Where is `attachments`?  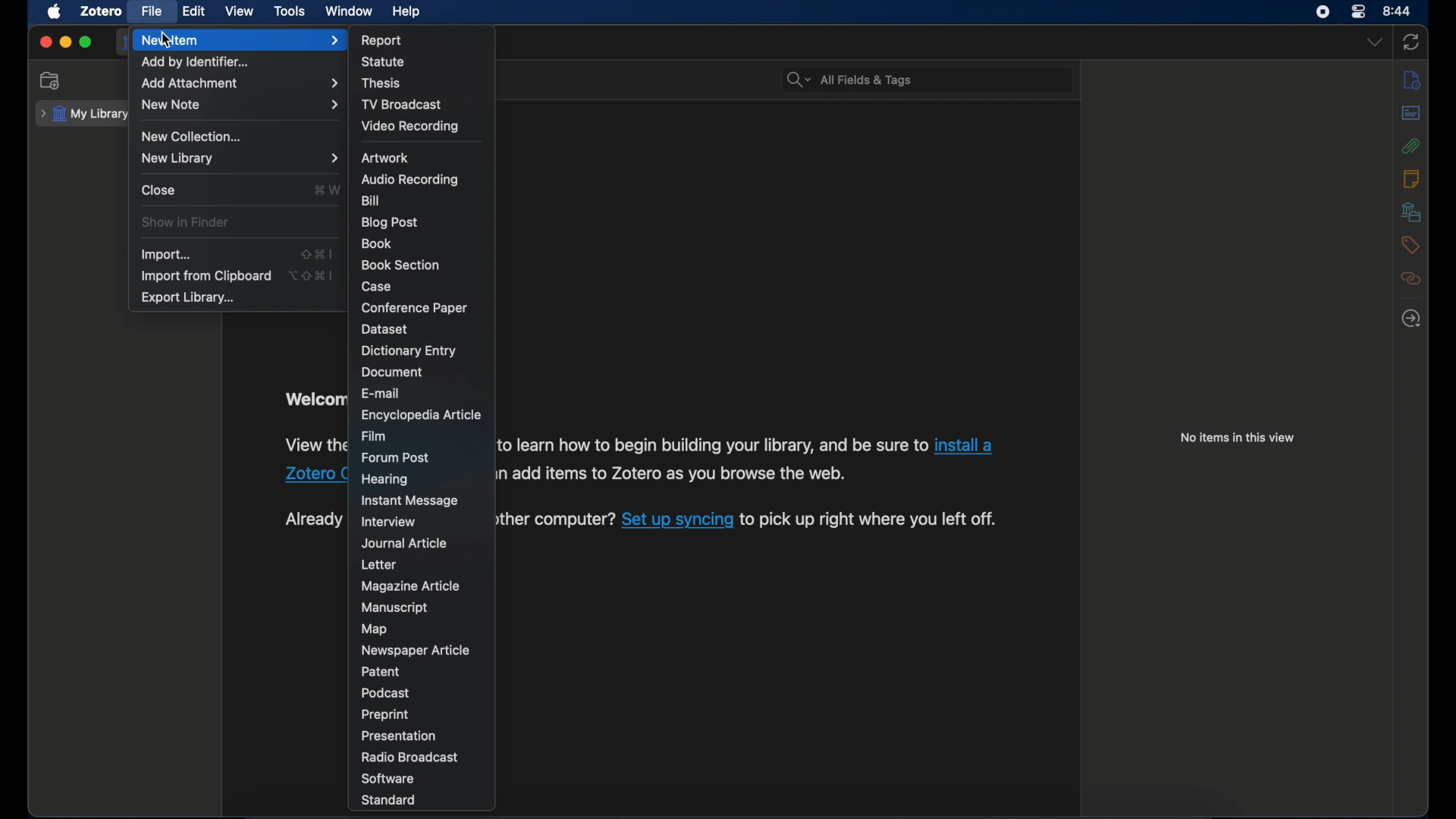
attachments is located at coordinates (1411, 146).